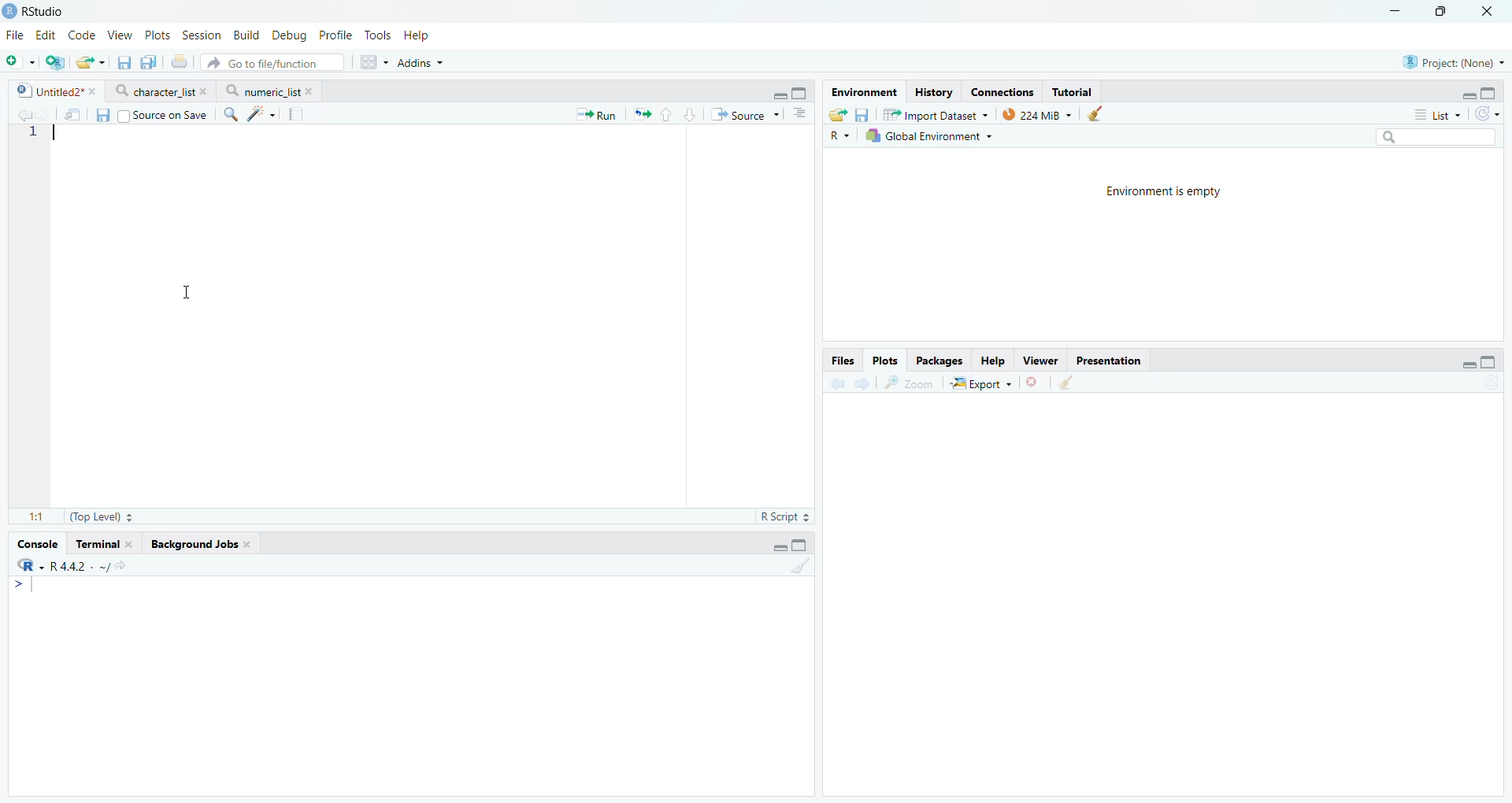 The width and height of the screenshot is (1512, 803). I want to click on Clear, so click(1100, 114).